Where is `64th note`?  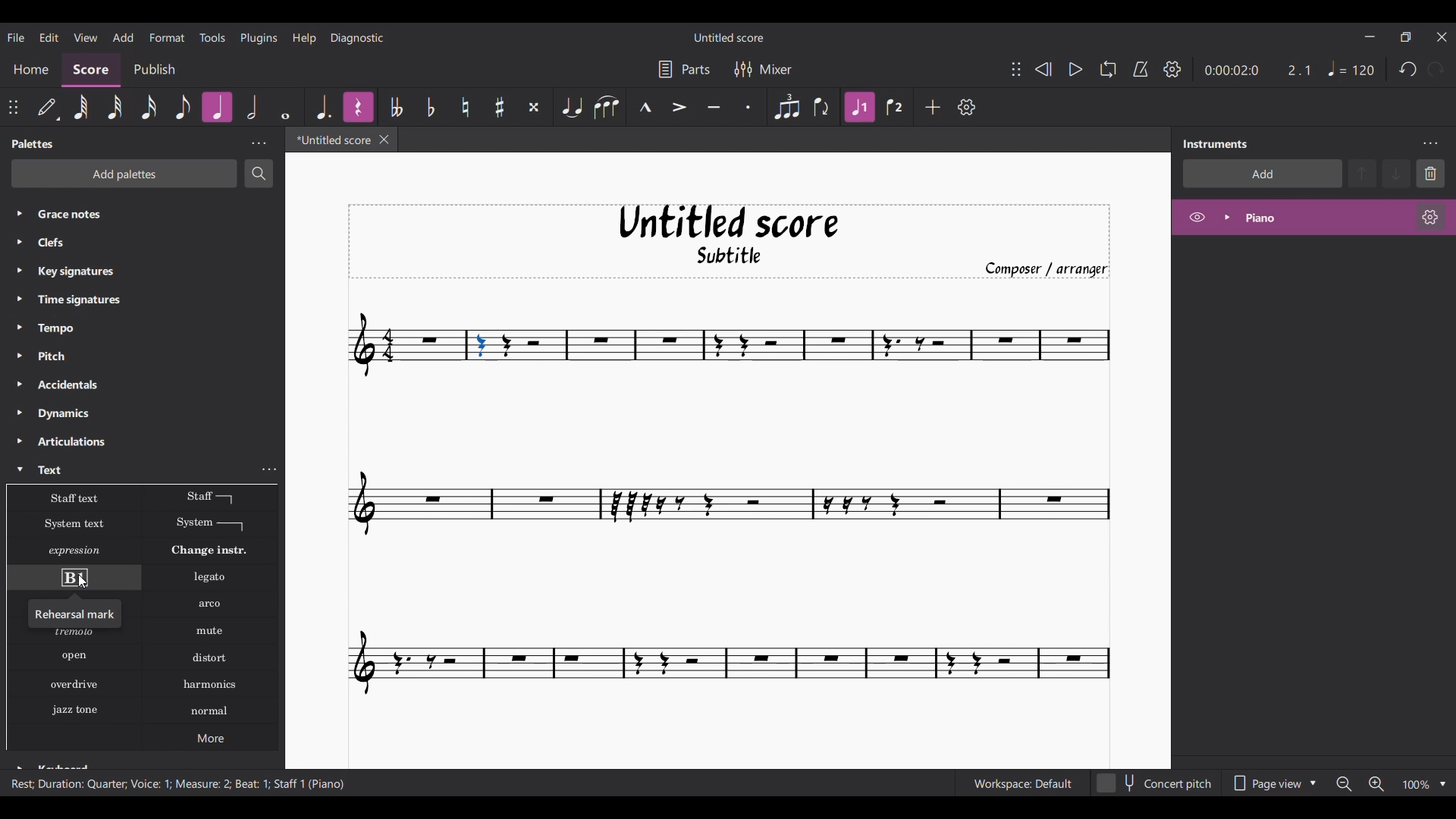 64th note is located at coordinates (82, 107).